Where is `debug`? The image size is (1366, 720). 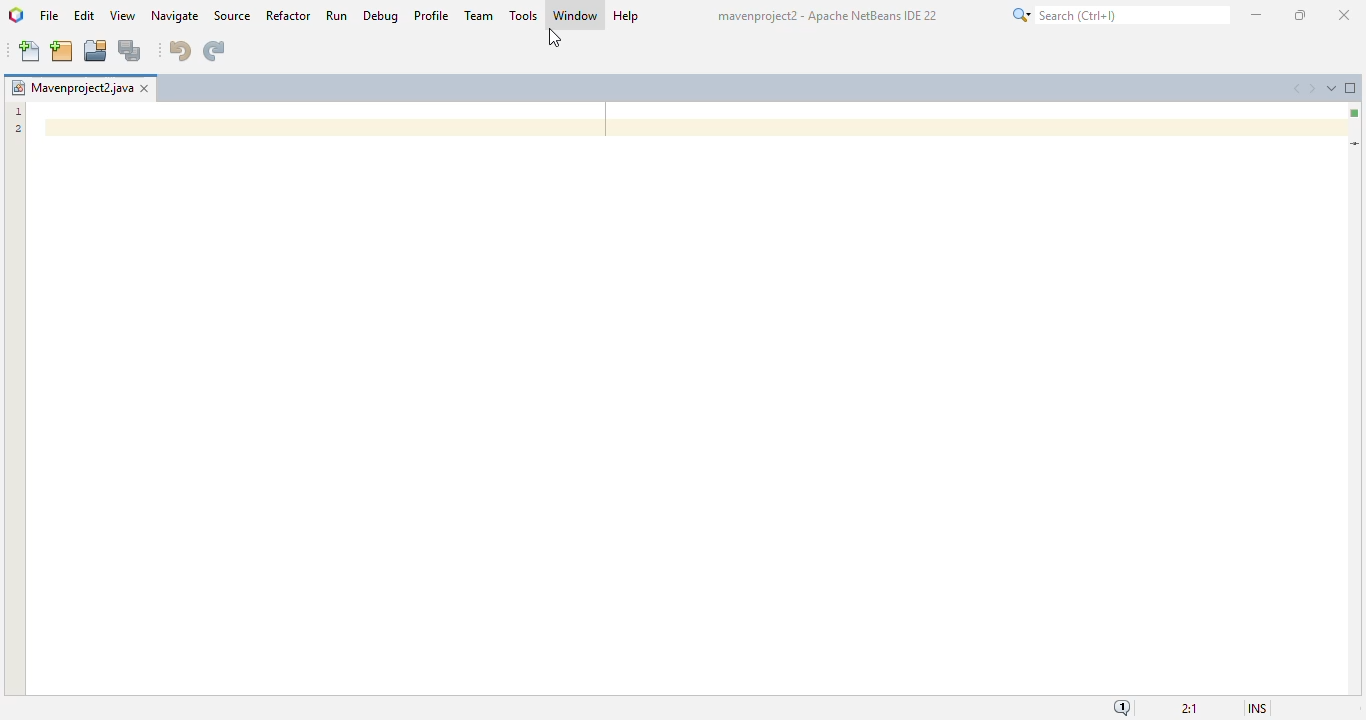
debug is located at coordinates (382, 15).